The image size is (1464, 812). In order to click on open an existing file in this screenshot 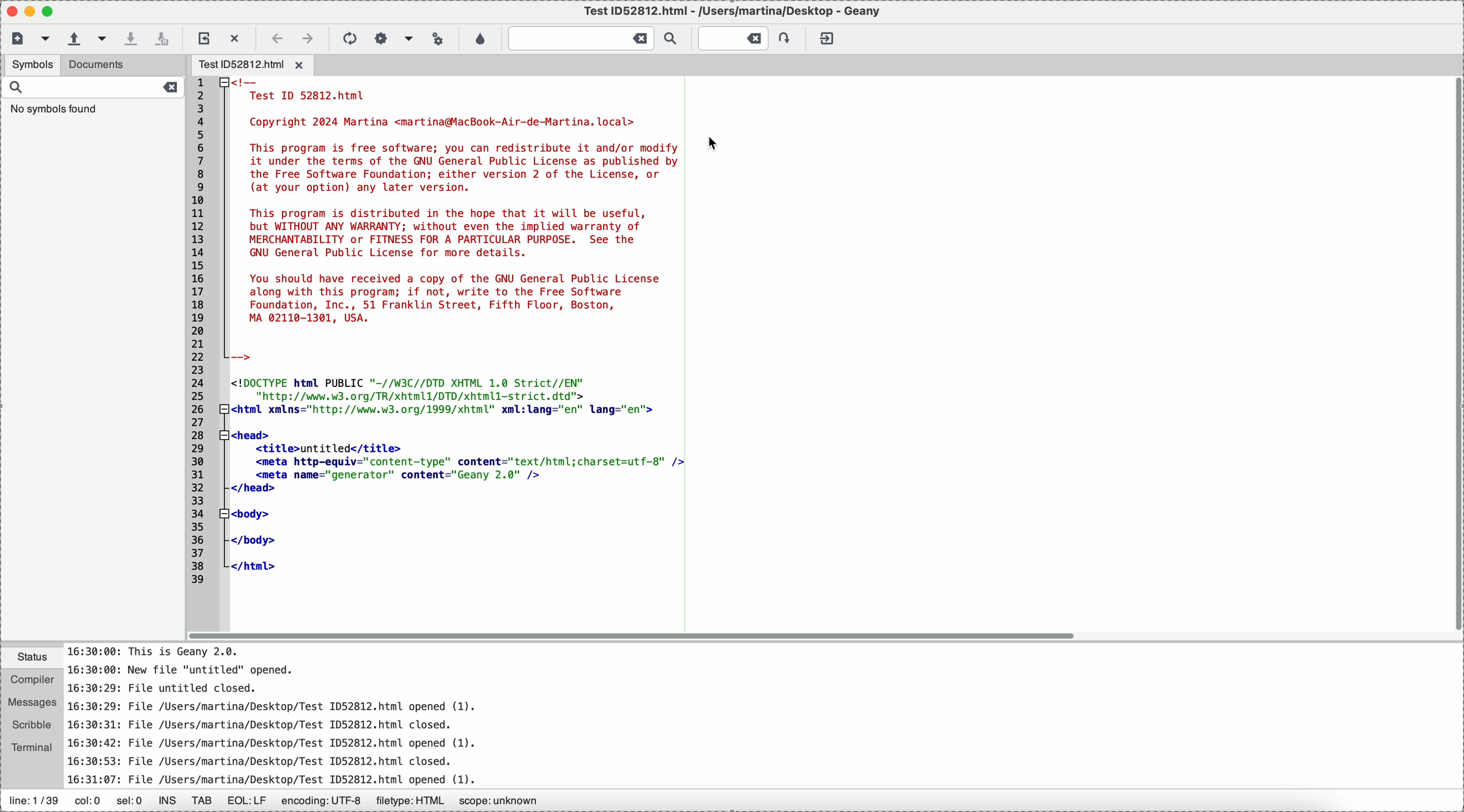, I will do `click(73, 38)`.